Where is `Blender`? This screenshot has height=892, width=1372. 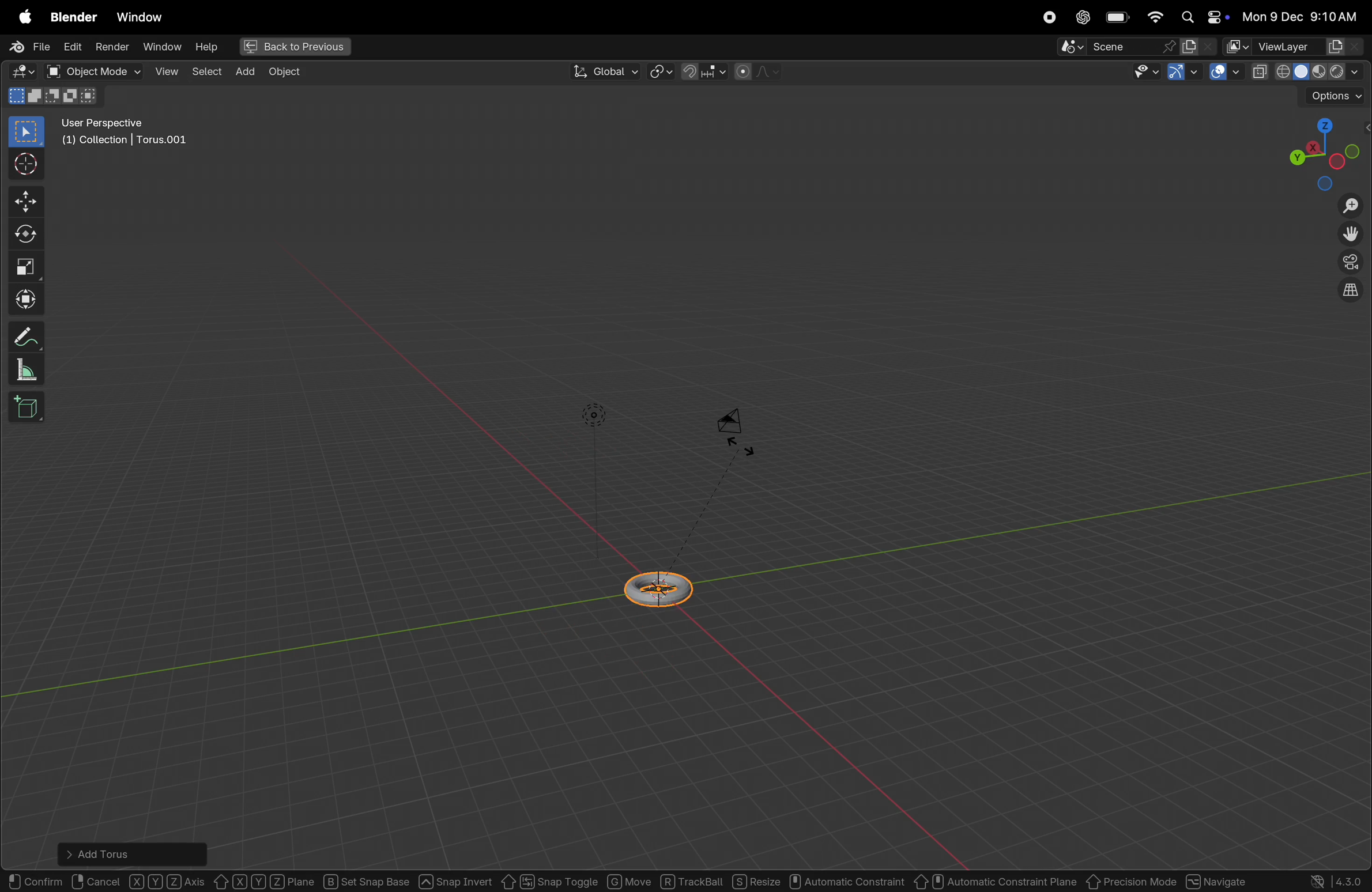 Blender is located at coordinates (70, 16).